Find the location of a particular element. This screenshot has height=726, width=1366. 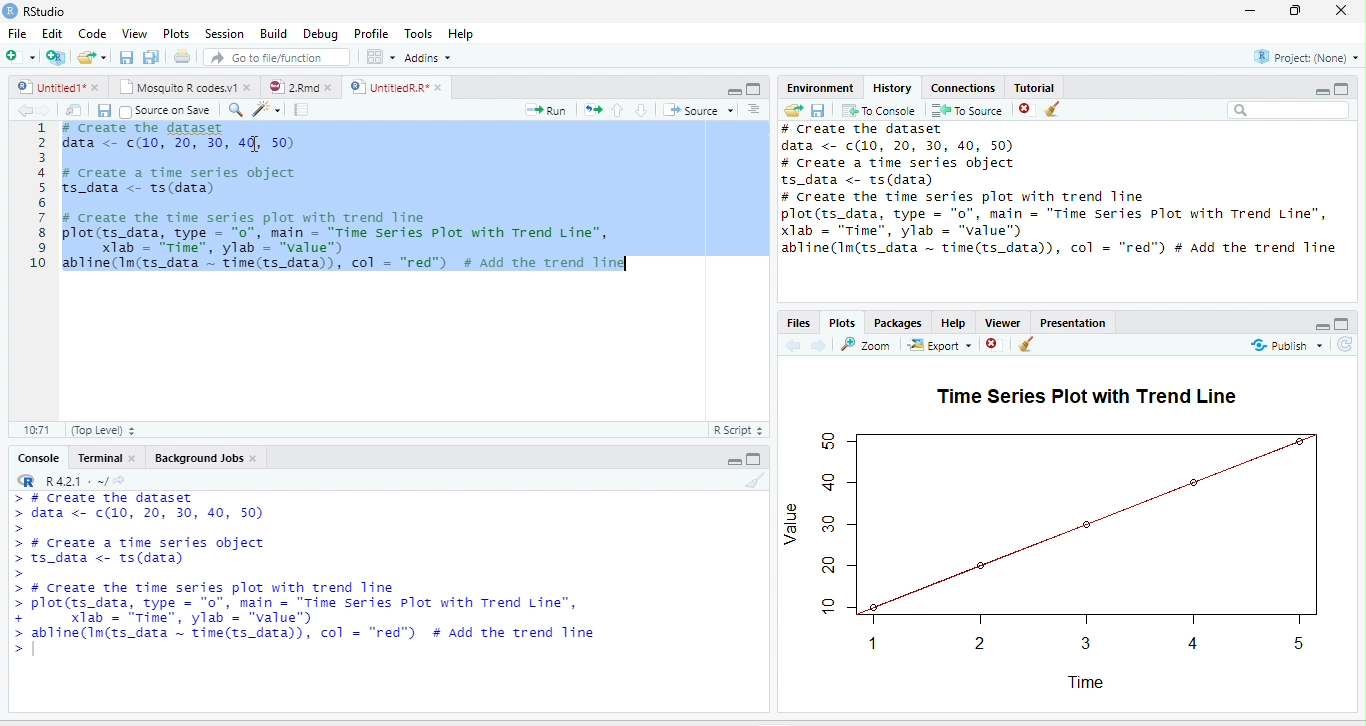

(Top Level) is located at coordinates (102, 430).